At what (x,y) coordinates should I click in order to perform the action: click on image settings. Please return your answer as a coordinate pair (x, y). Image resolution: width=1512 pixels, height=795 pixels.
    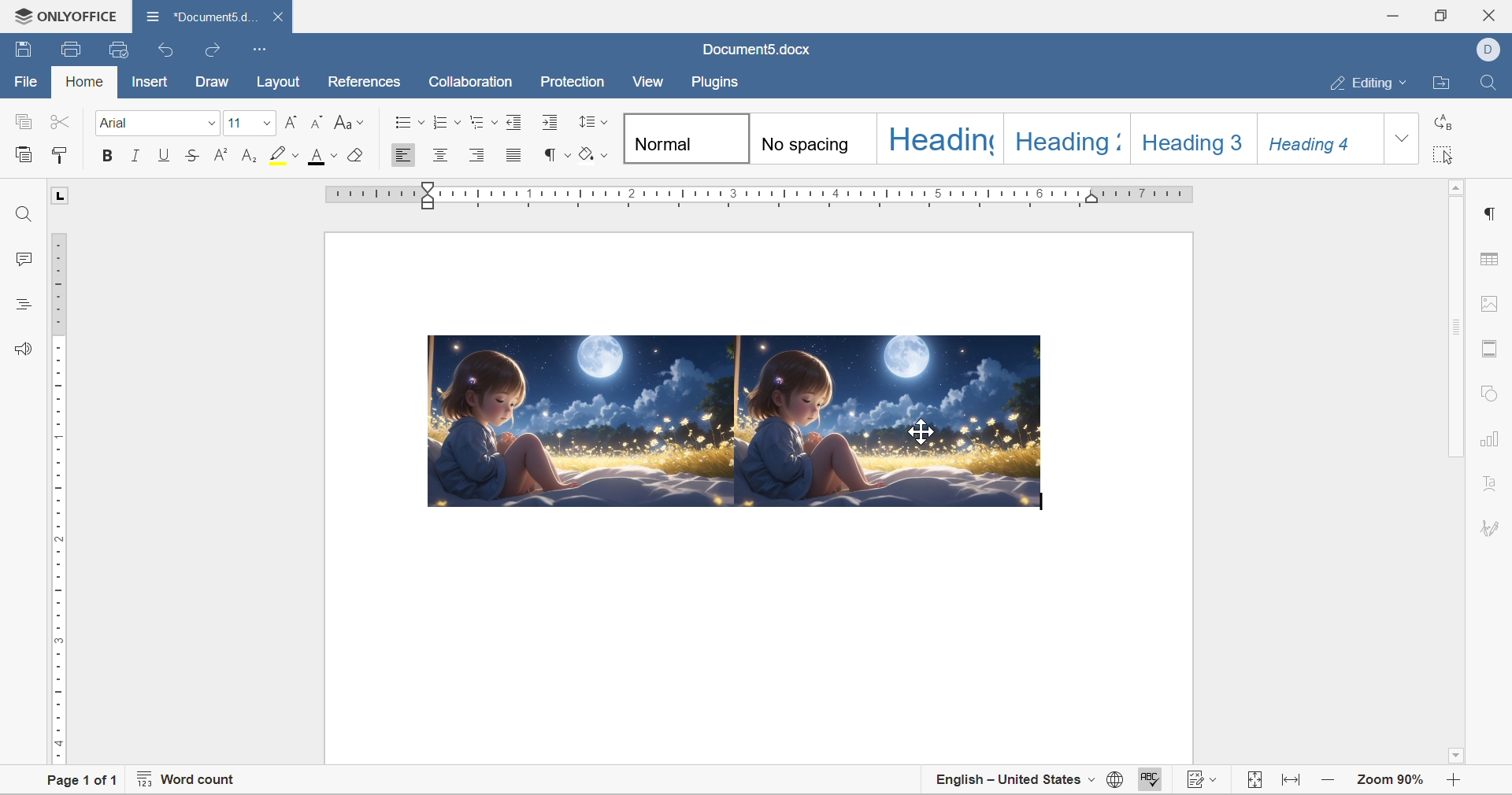
    Looking at the image, I should click on (1492, 304).